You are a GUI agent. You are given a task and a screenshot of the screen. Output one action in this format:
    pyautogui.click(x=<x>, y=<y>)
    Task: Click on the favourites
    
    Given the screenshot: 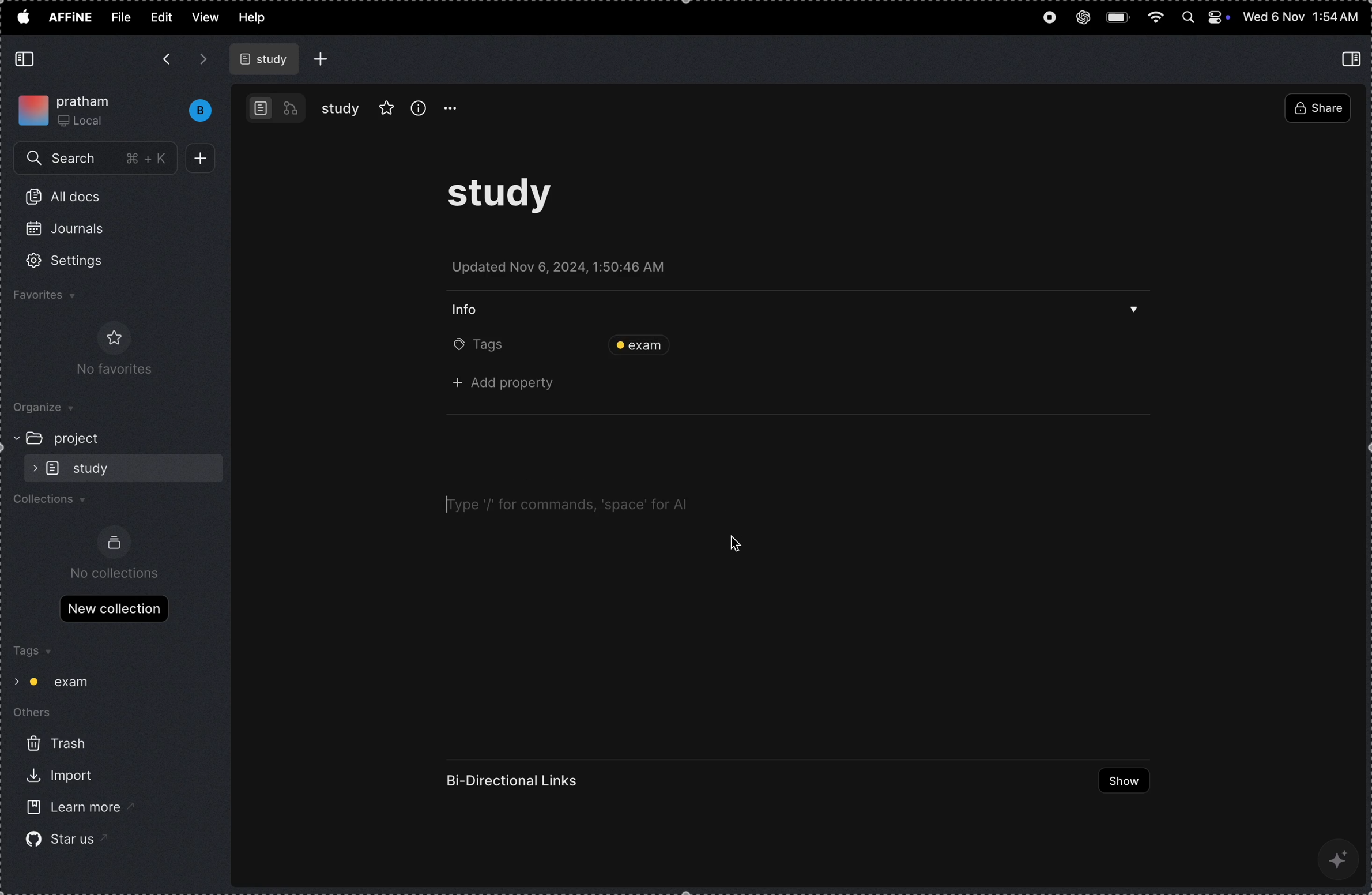 What is the action you would take?
    pyautogui.click(x=387, y=106)
    